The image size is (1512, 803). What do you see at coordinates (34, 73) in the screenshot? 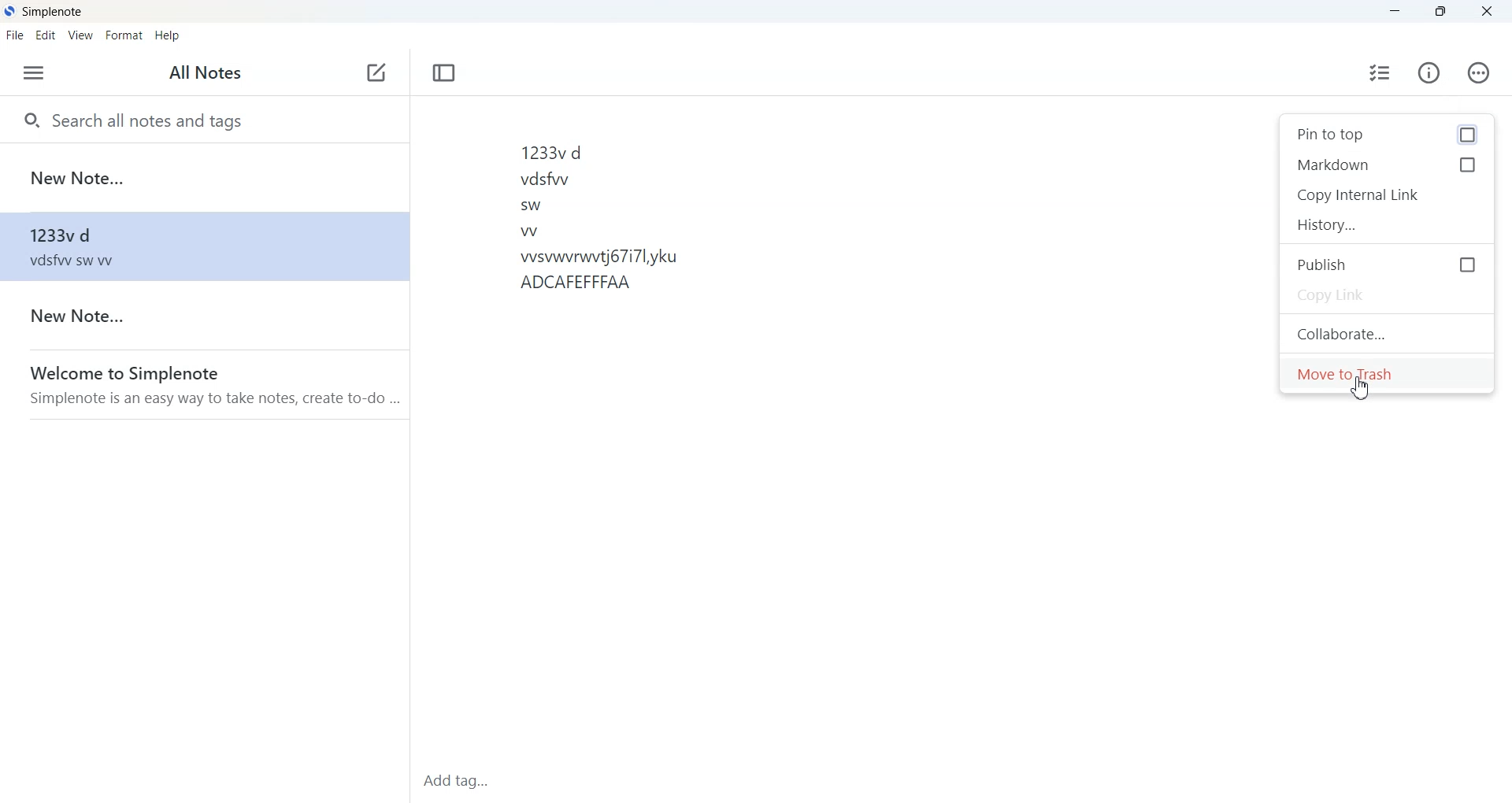
I see `Menu` at bounding box center [34, 73].